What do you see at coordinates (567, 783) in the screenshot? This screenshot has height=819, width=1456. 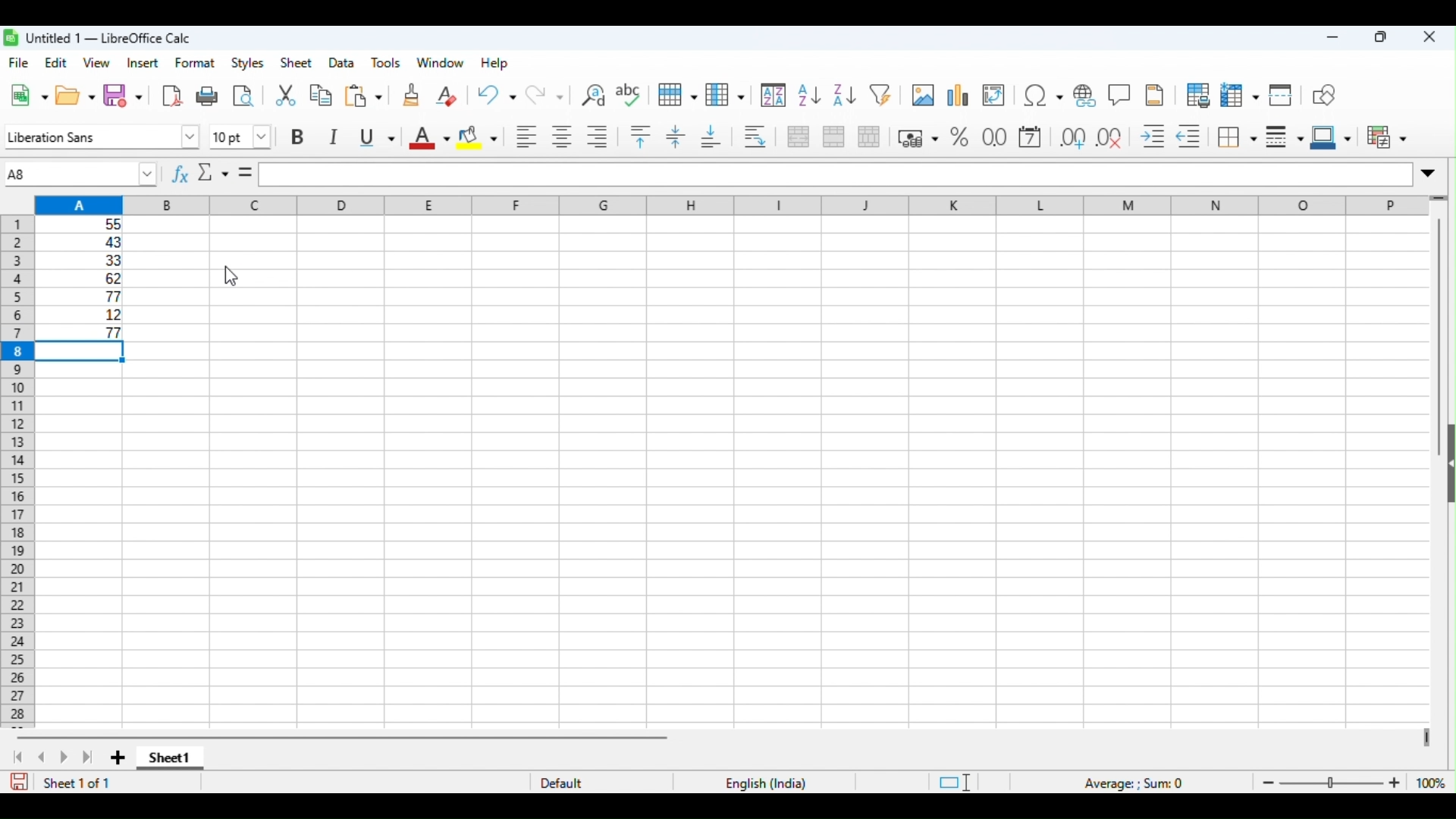 I see `default` at bounding box center [567, 783].